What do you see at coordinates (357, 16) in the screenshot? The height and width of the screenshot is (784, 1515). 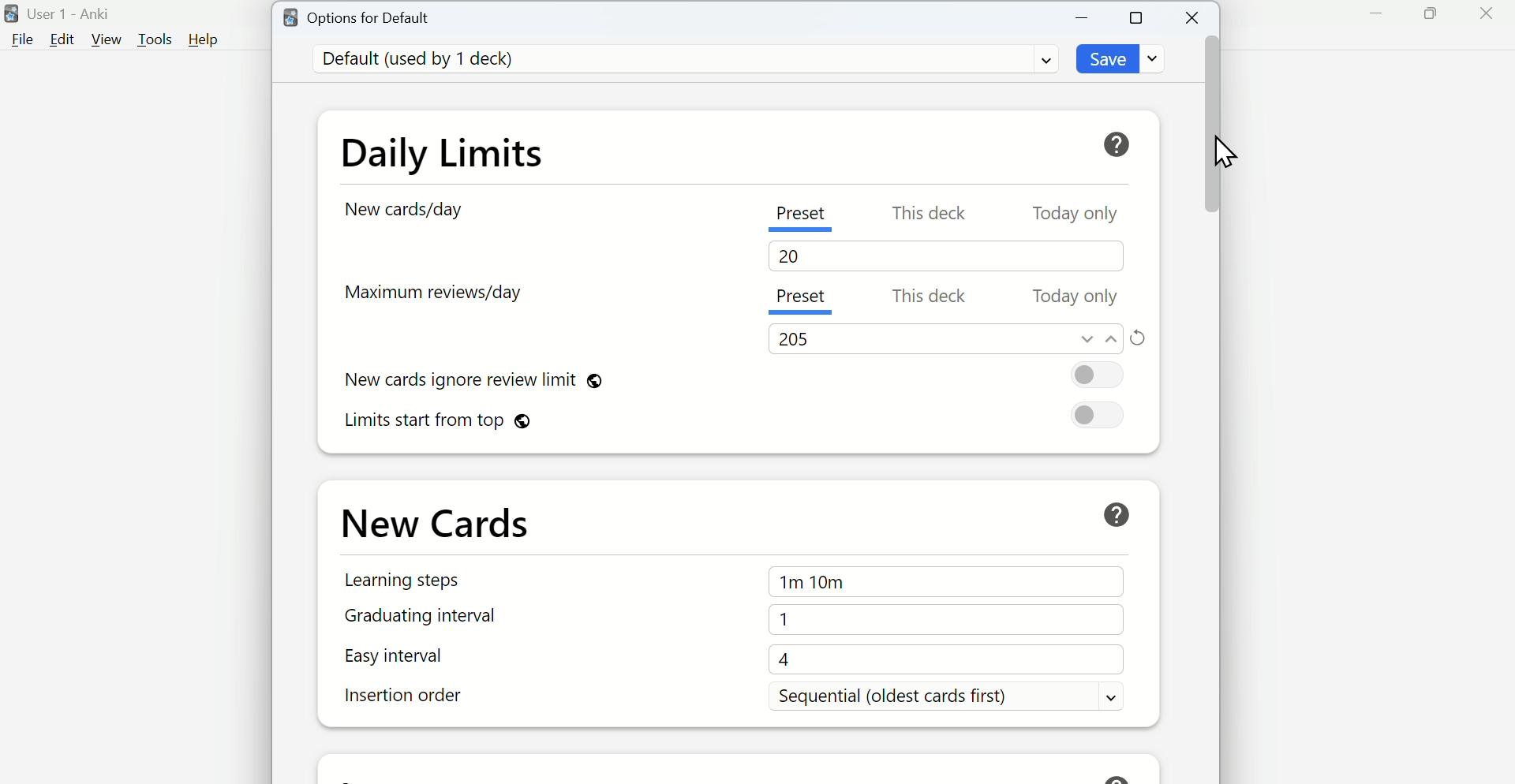 I see `Options for Default` at bounding box center [357, 16].